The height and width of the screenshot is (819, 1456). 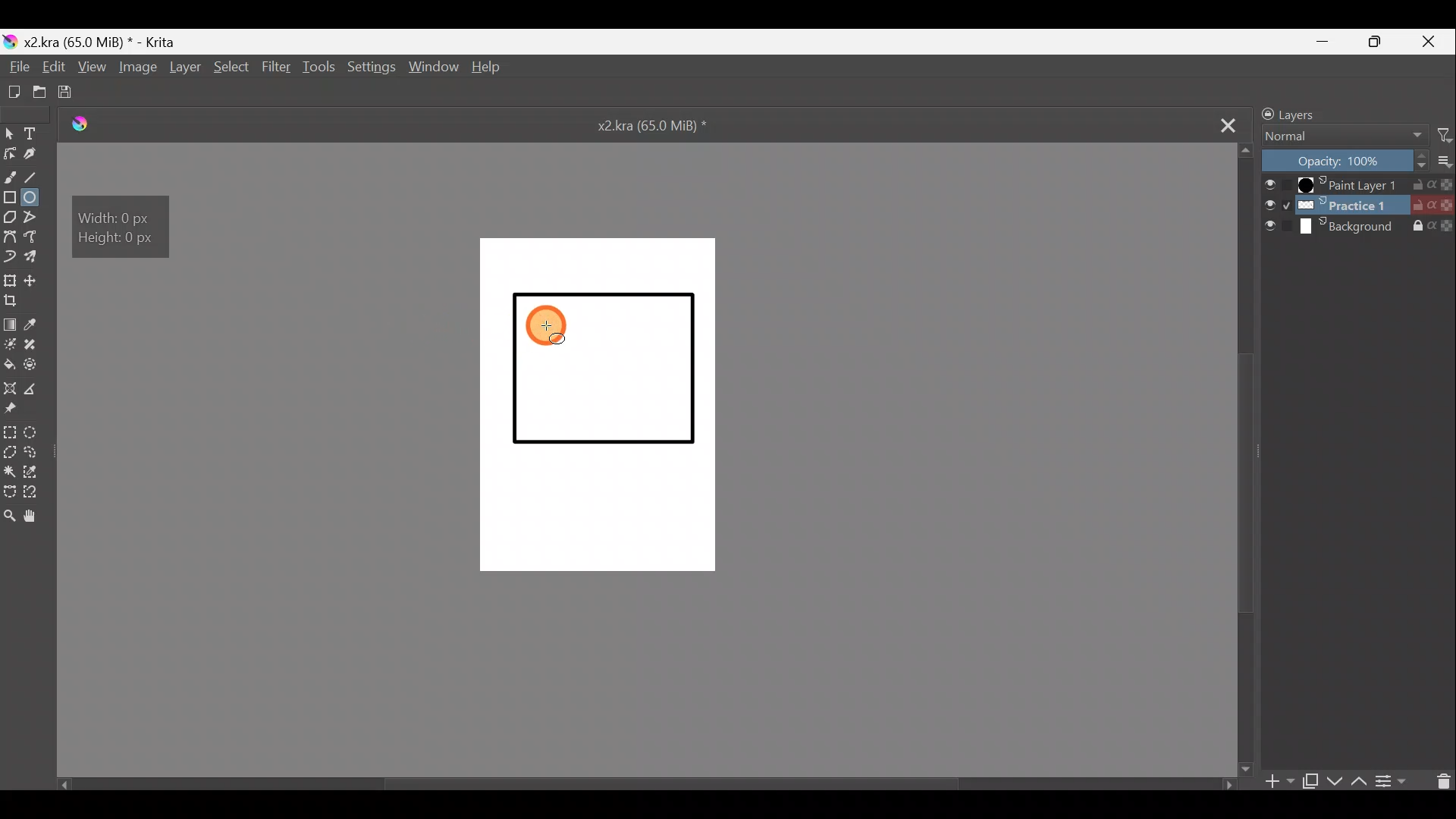 What do you see at coordinates (633, 781) in the screenshot?
I see `Scroll bar` at bounding box center [633, 781].